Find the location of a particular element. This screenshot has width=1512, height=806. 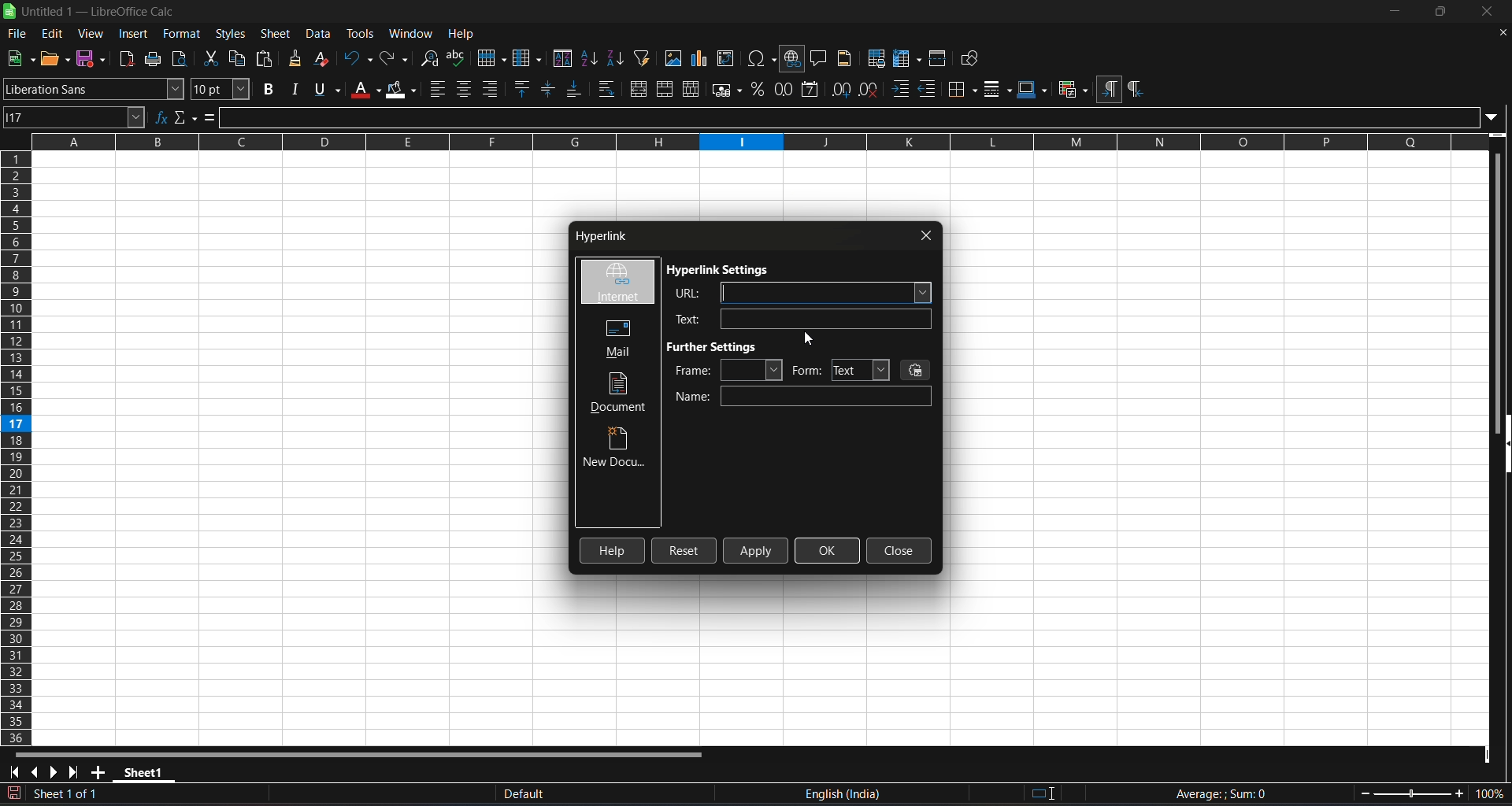

internet is located at coordinates (617, 283).